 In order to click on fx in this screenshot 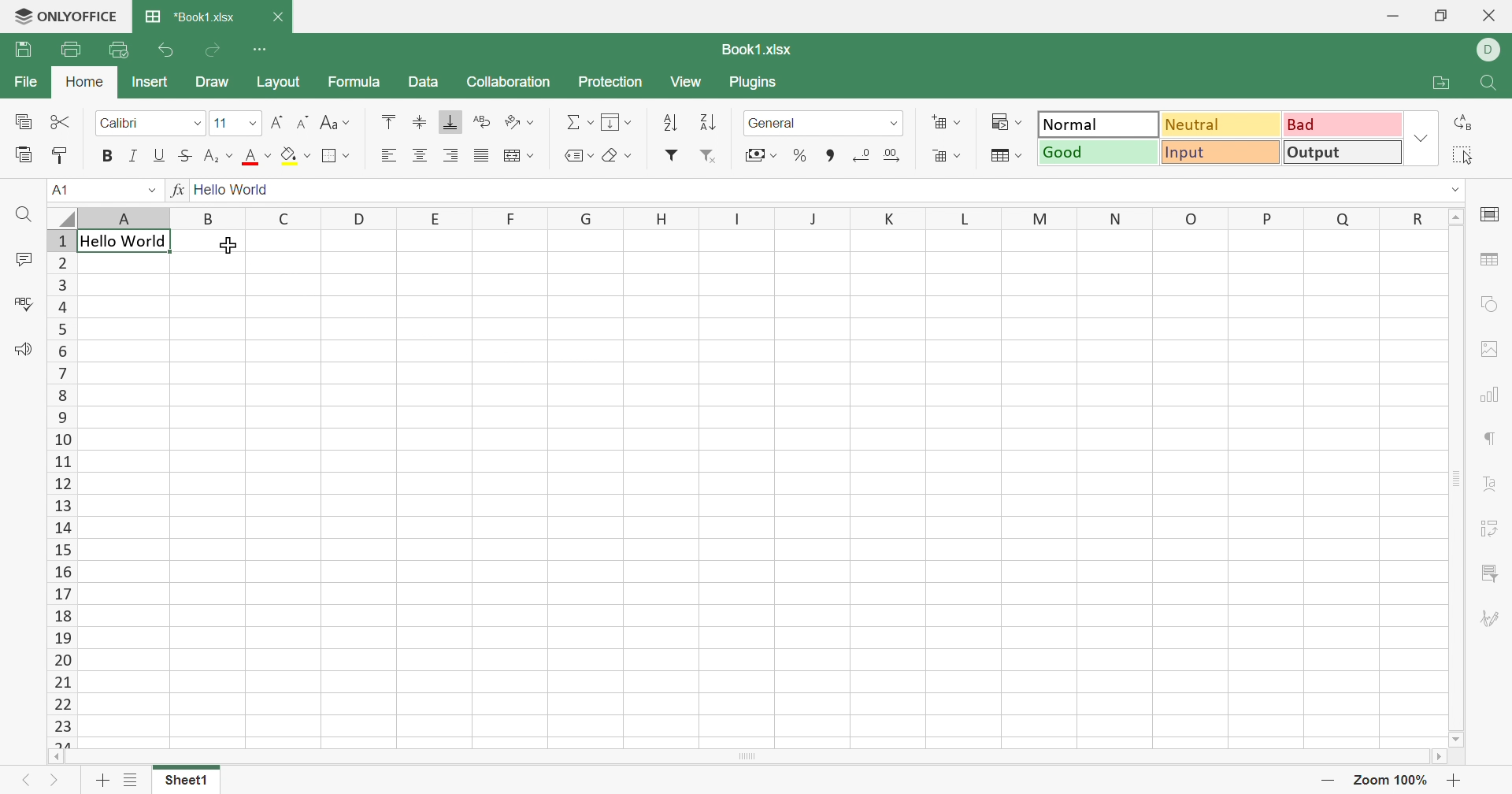, I will do `click(177, 191)`.